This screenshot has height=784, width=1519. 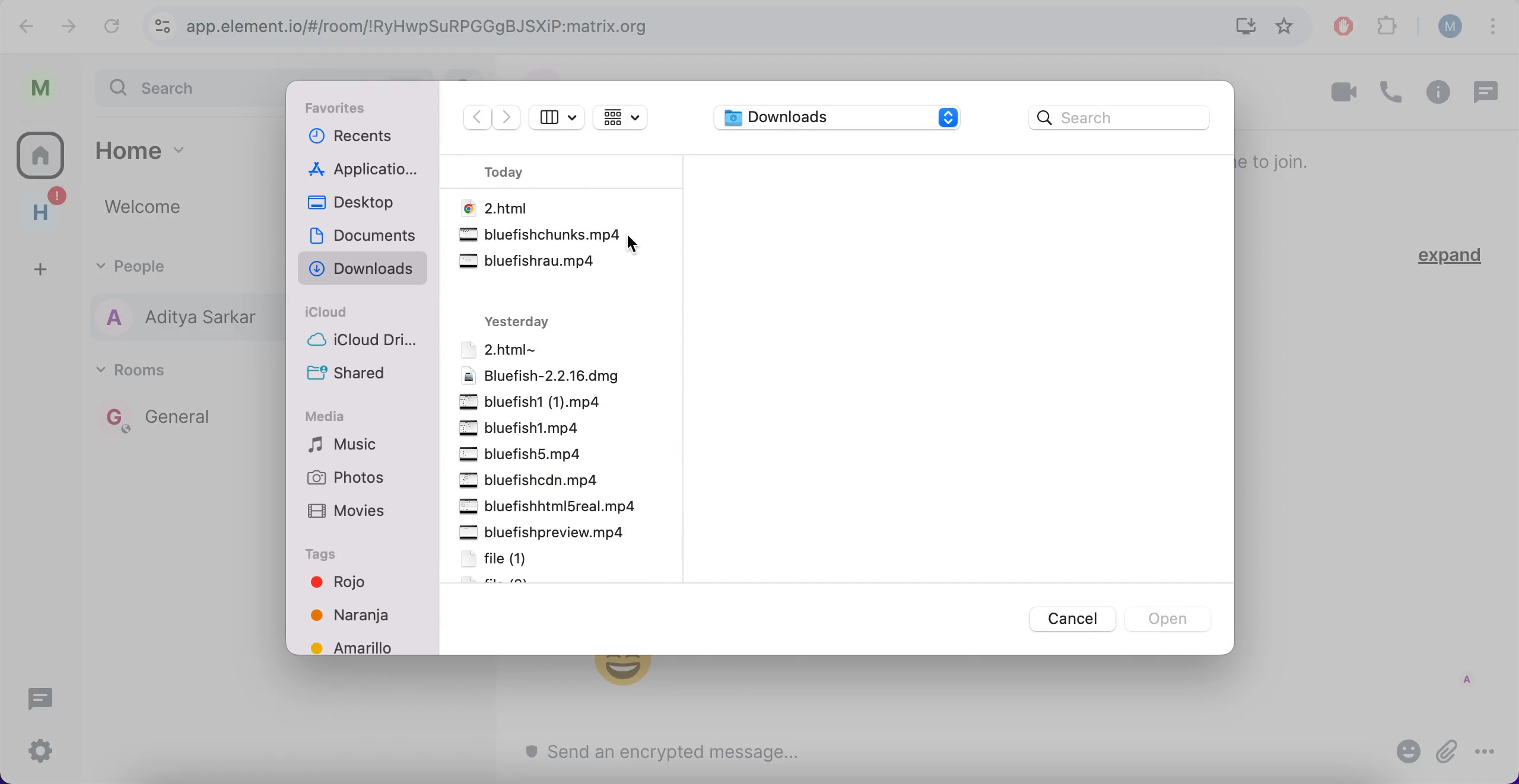 What do you see at coordinates (172, 375) in the screenshot?
I see `rooms` at bounding box center [172, 375].